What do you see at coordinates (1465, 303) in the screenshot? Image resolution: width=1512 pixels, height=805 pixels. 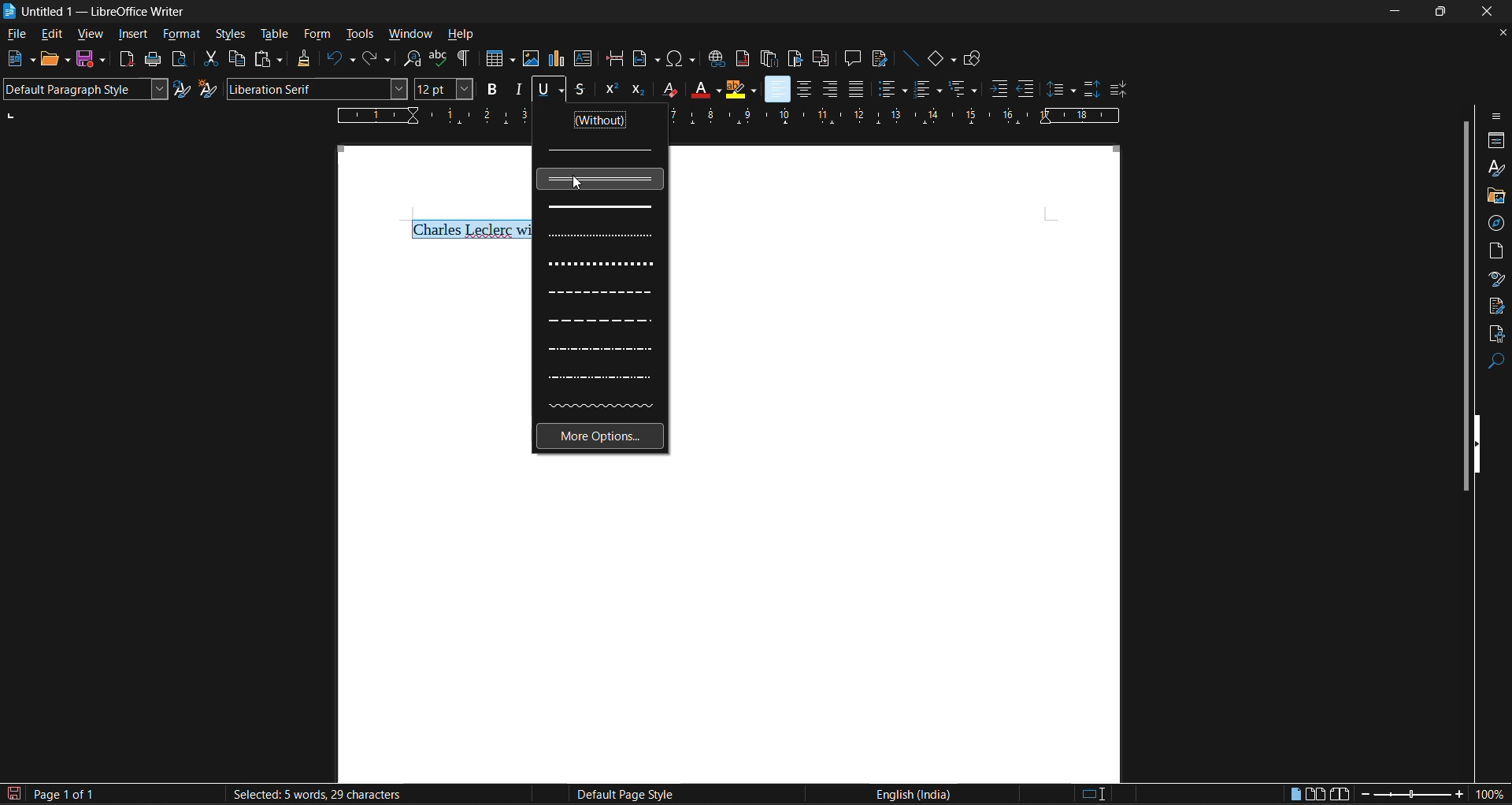 I see `vertical slide bar` at bounding box center [1465, 303].